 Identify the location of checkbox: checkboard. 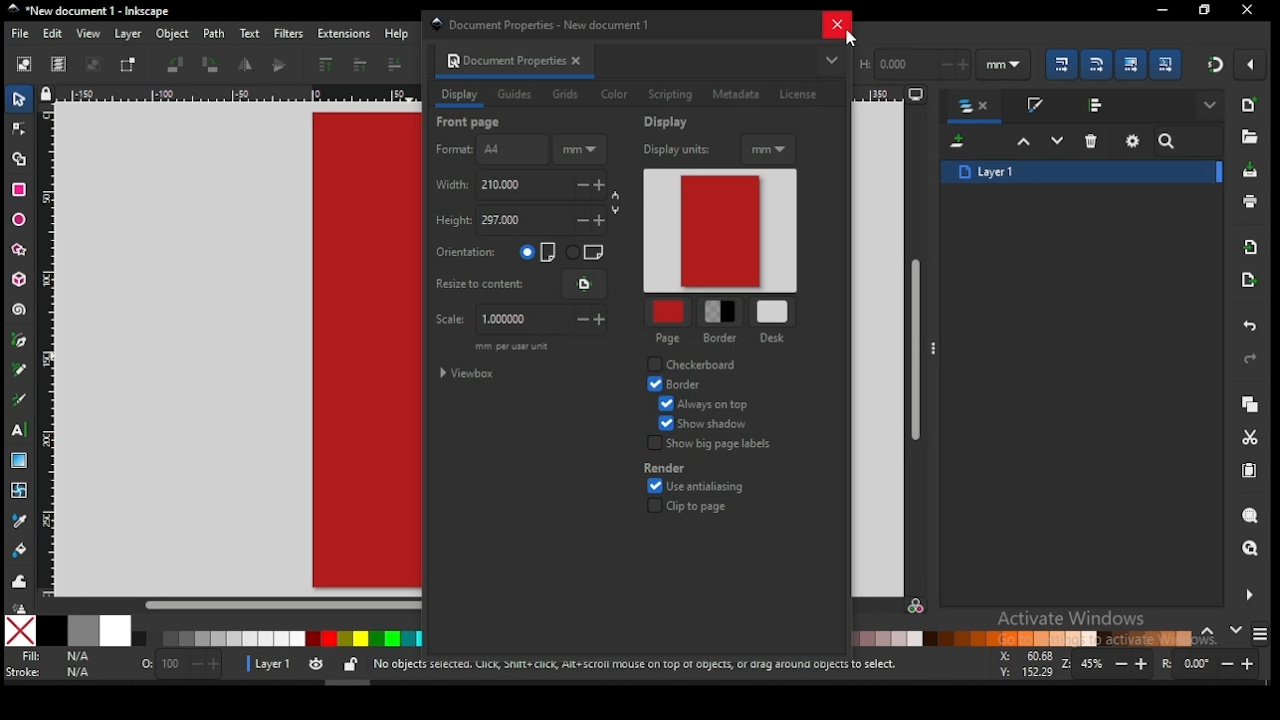
(696, 365).